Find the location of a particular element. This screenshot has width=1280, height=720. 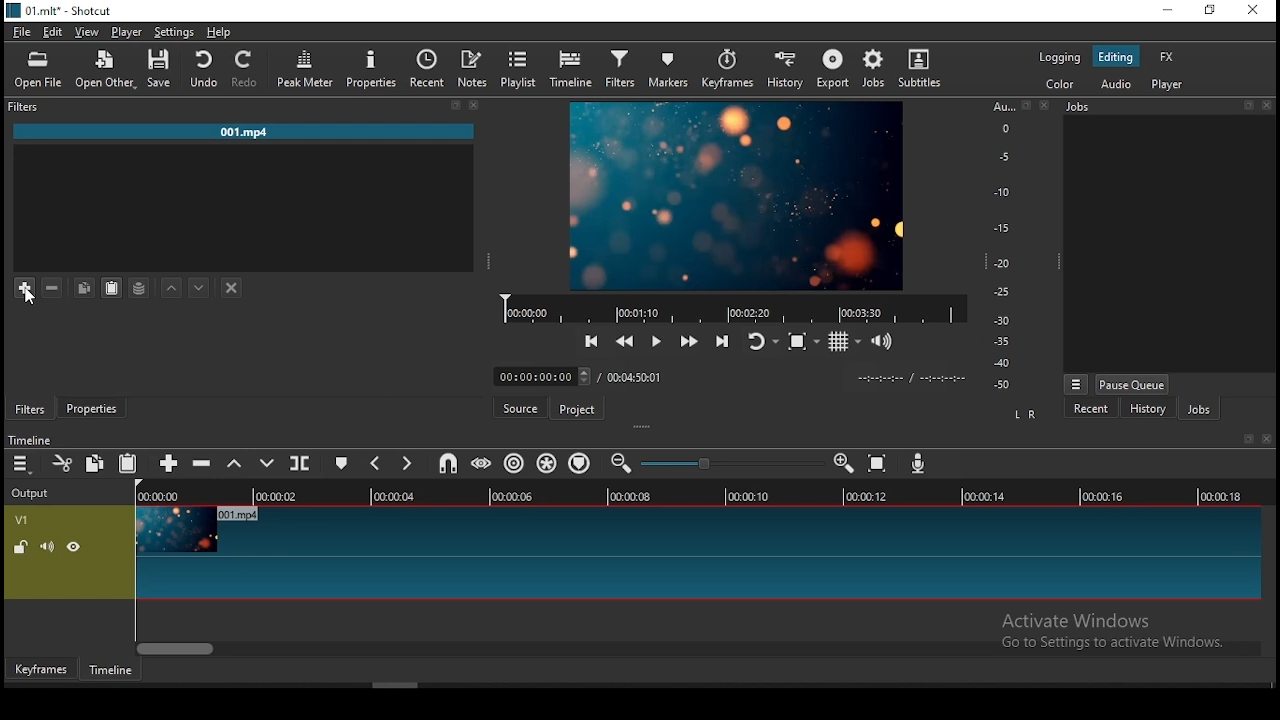

play/pause is located at coordinates (653, 342).